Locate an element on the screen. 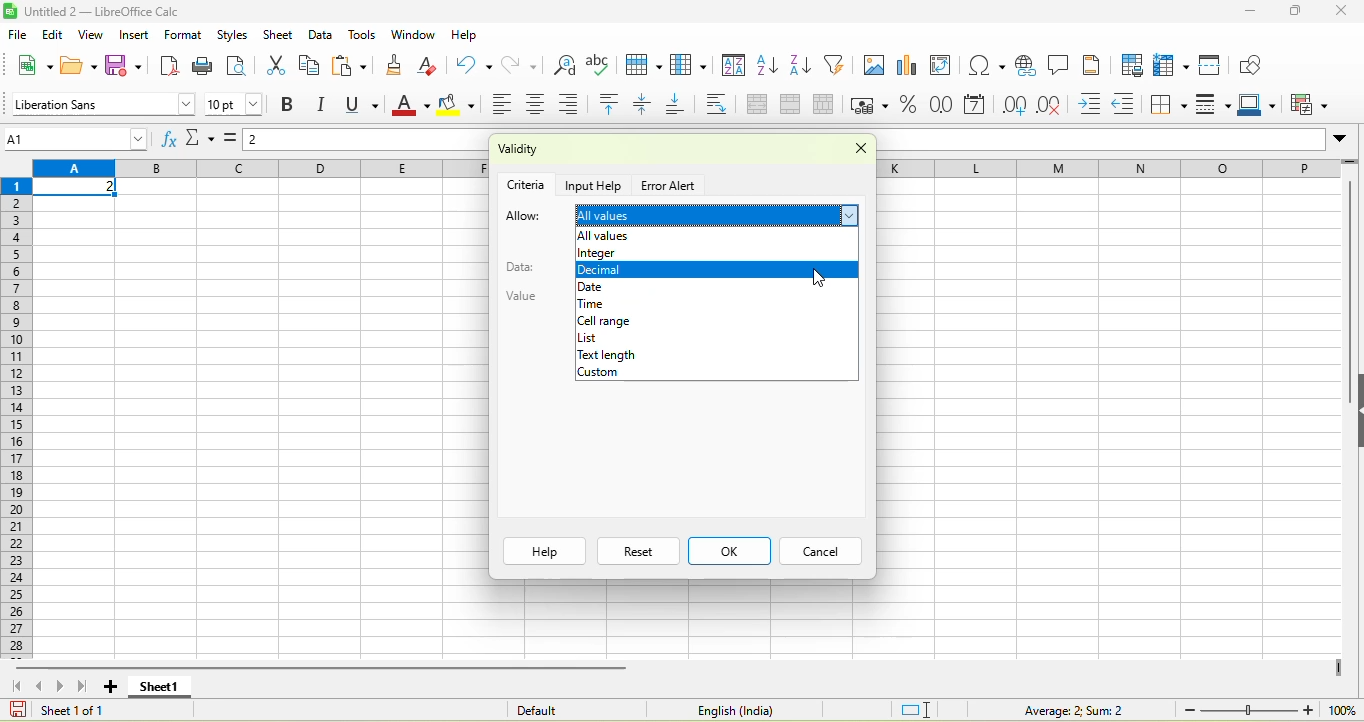  center vertically is located at coordinates (648, 105).